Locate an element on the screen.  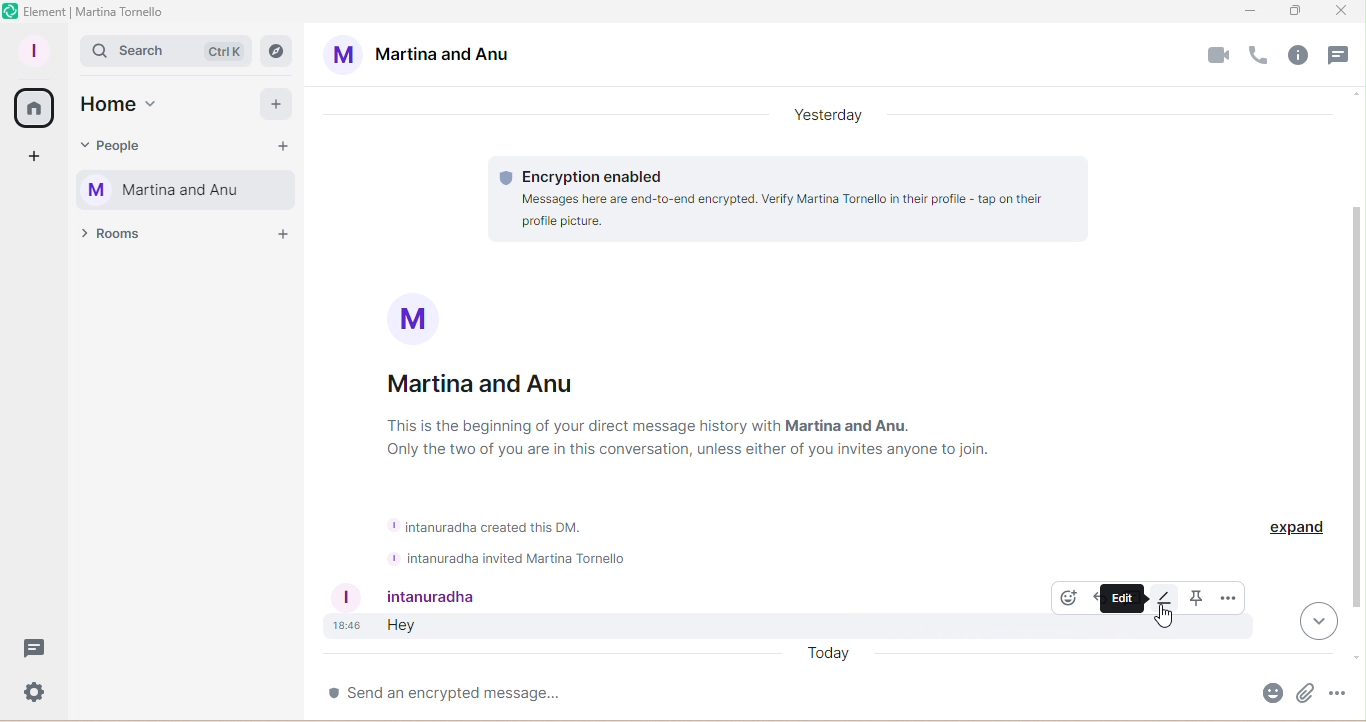
Home is located at coordinates (31, 107).